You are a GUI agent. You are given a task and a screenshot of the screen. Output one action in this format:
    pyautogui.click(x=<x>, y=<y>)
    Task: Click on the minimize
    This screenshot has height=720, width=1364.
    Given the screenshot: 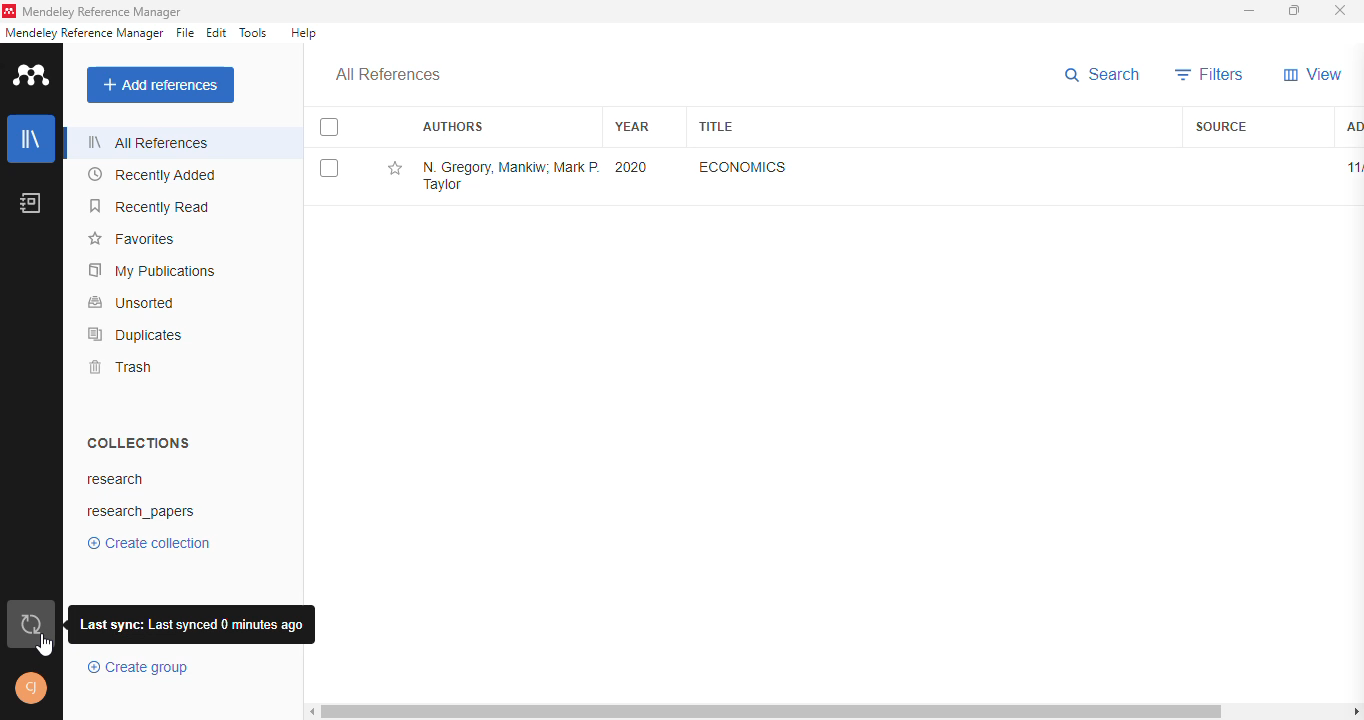 What is the action you would take?
    pyautogui.click(x=1250, y=11)
    